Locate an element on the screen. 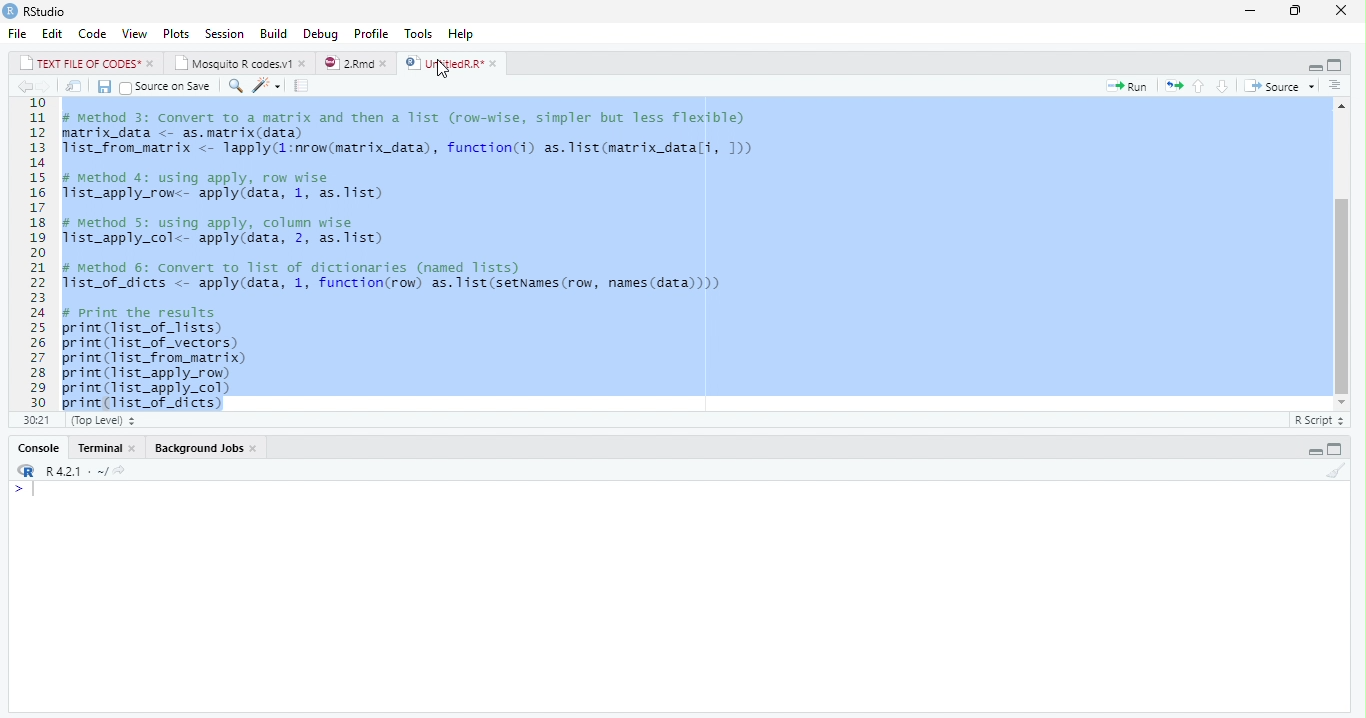  cursor is located at coordinates (443, 71).